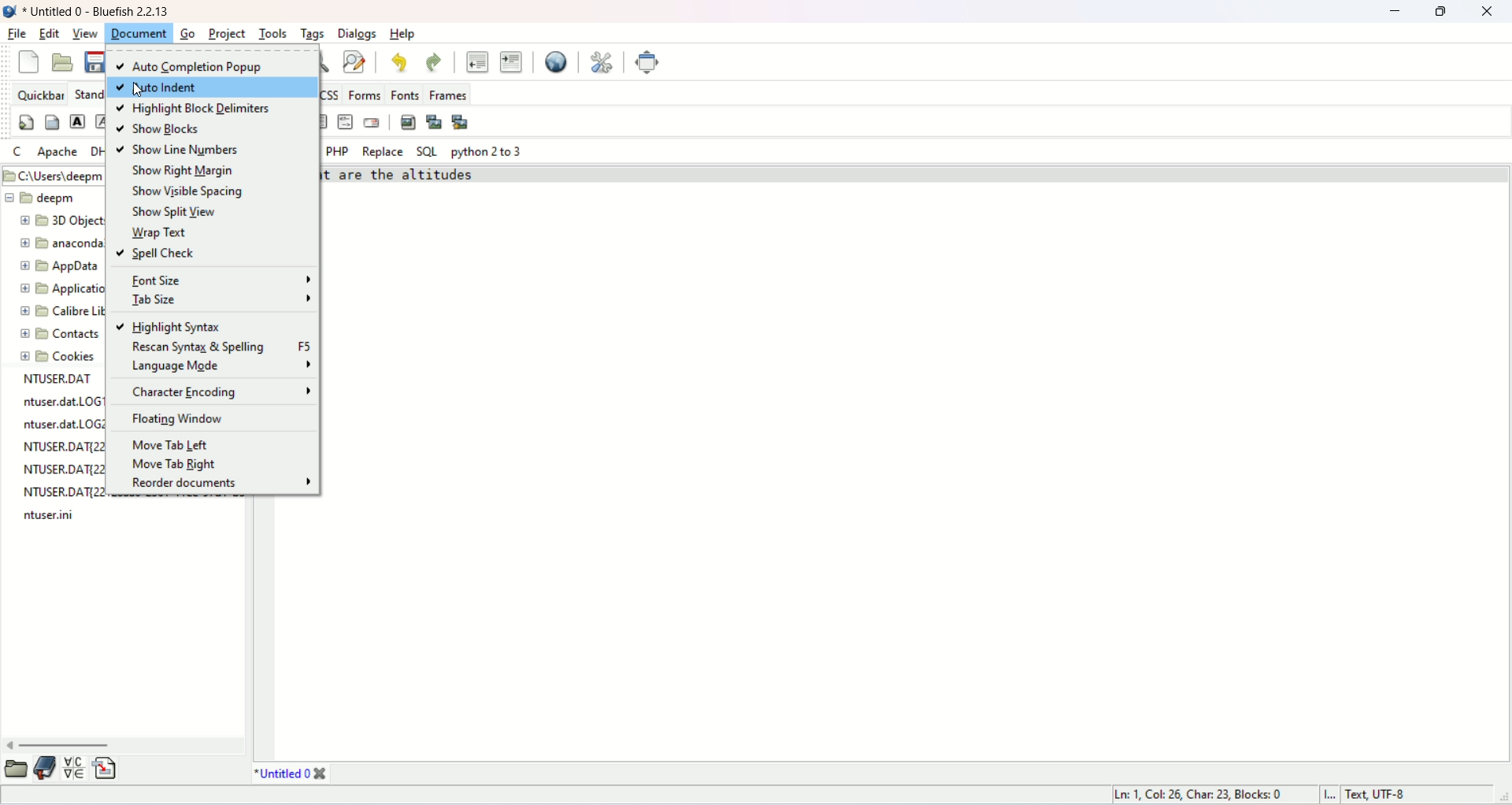 This screenshot has width=1512, height=805. Describe the element at coordinates (427, 153) in the screenshot. I see `SQL` at that location.